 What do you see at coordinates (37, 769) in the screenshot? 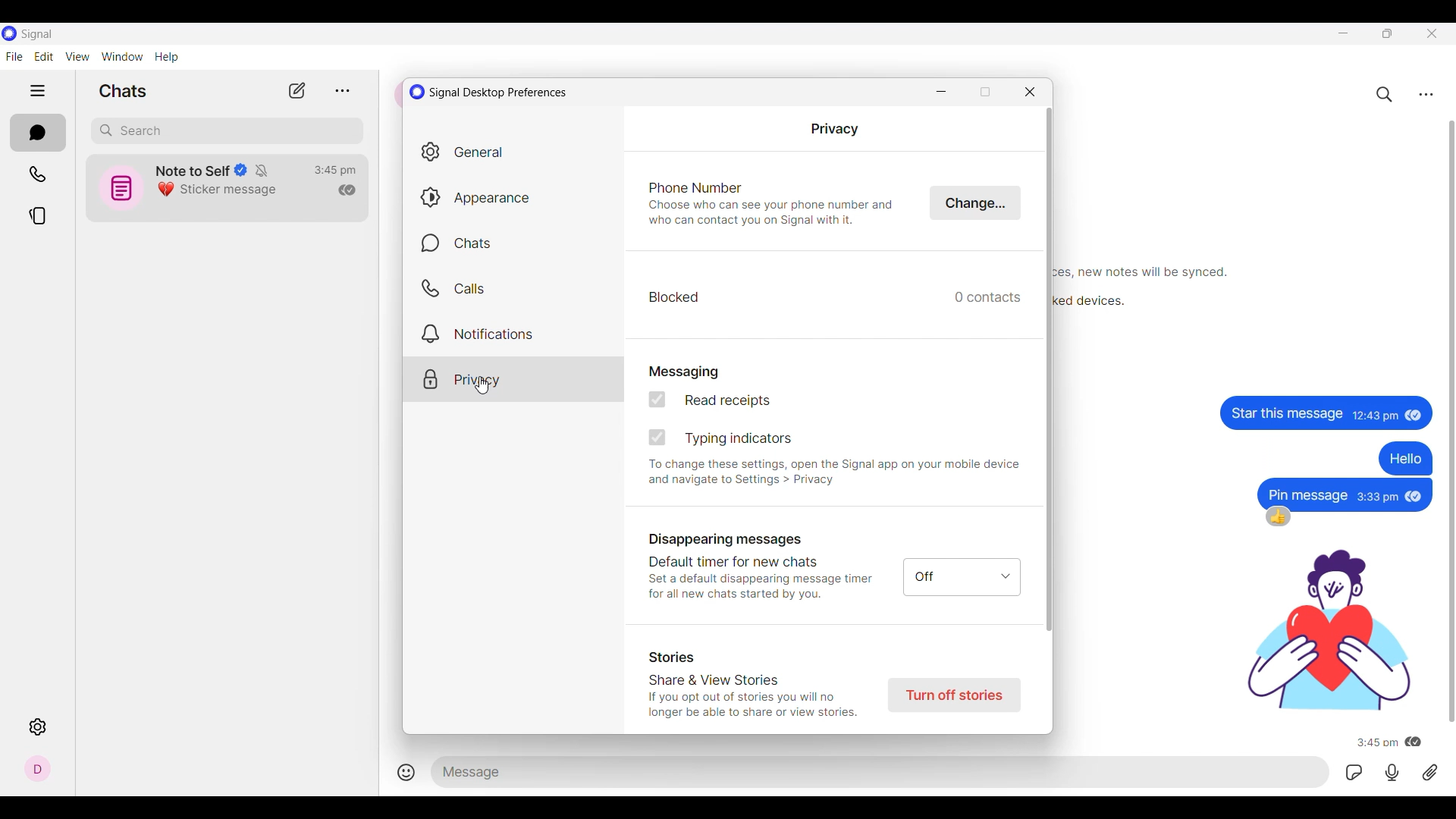
I see `Profile` at bounding box center [37, 769].